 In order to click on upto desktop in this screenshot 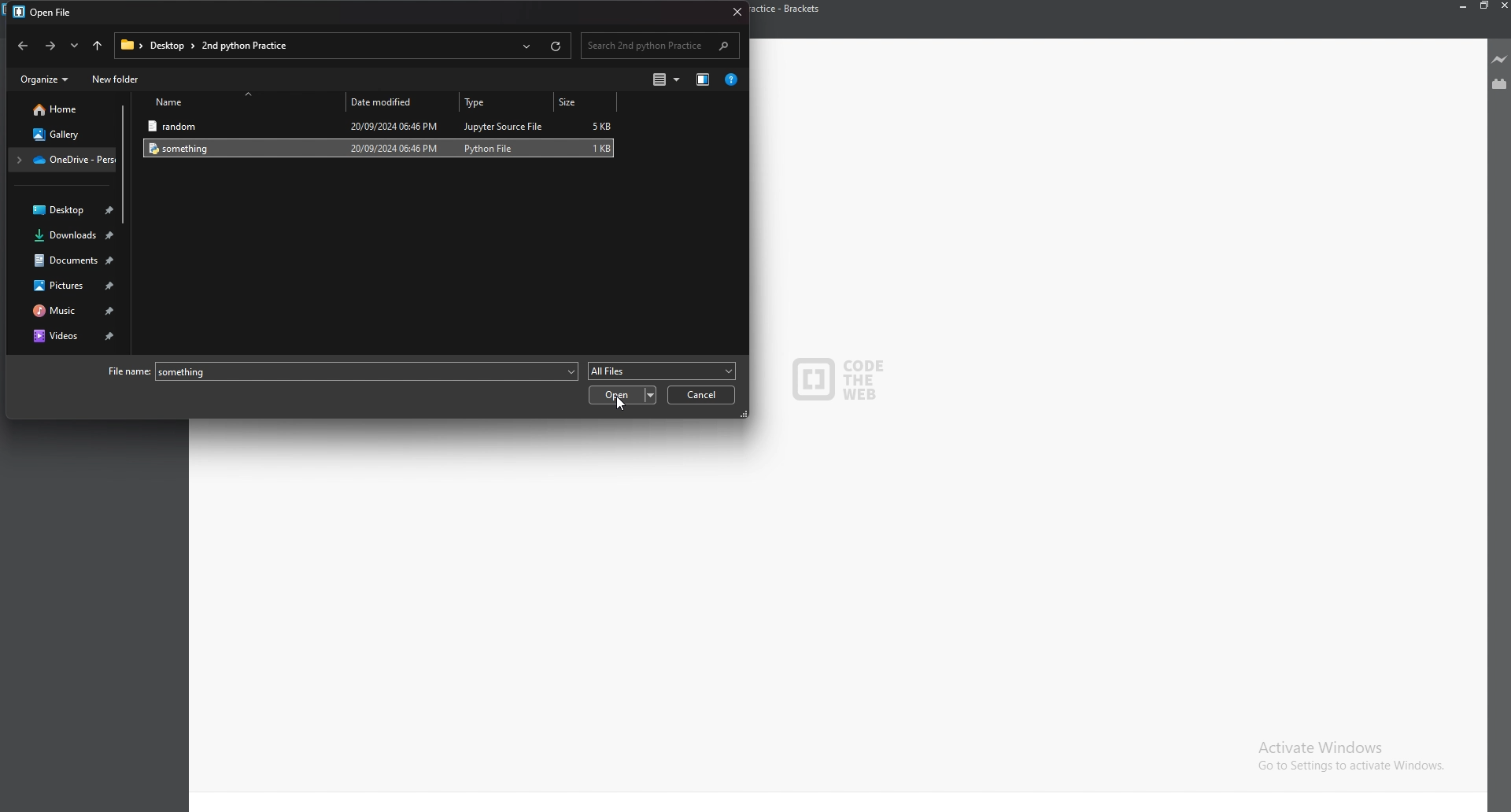, I will do `click(97, 46)`.